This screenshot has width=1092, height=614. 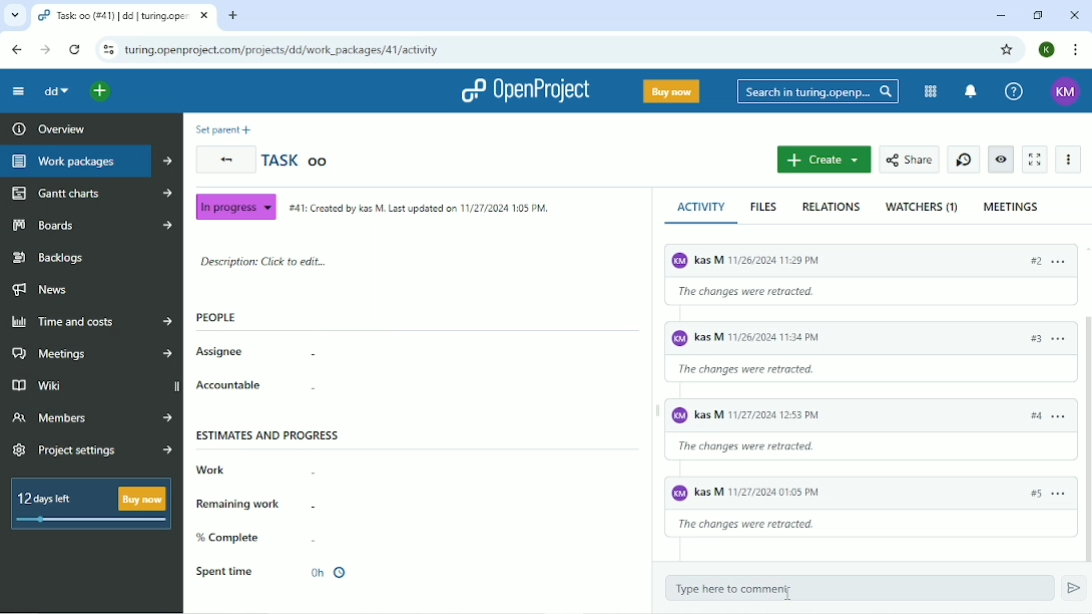 I want to click on Description, so click(x=261, y=263).